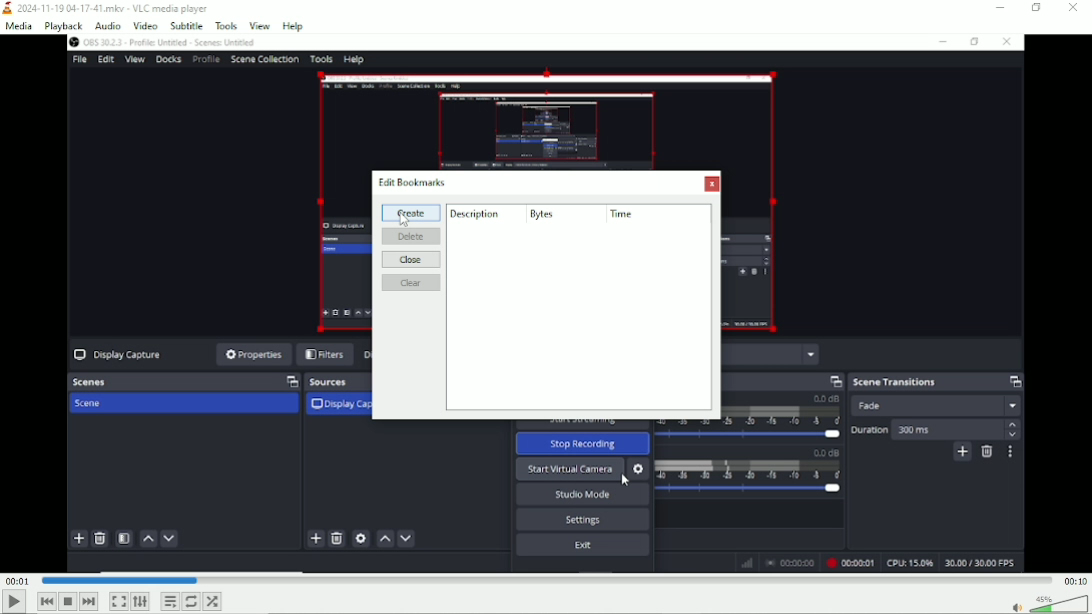 This screenshot has width=1092, height=614. Describe the element at coordinates (227, 26) in the screenshot. I see `Tools` at that location.